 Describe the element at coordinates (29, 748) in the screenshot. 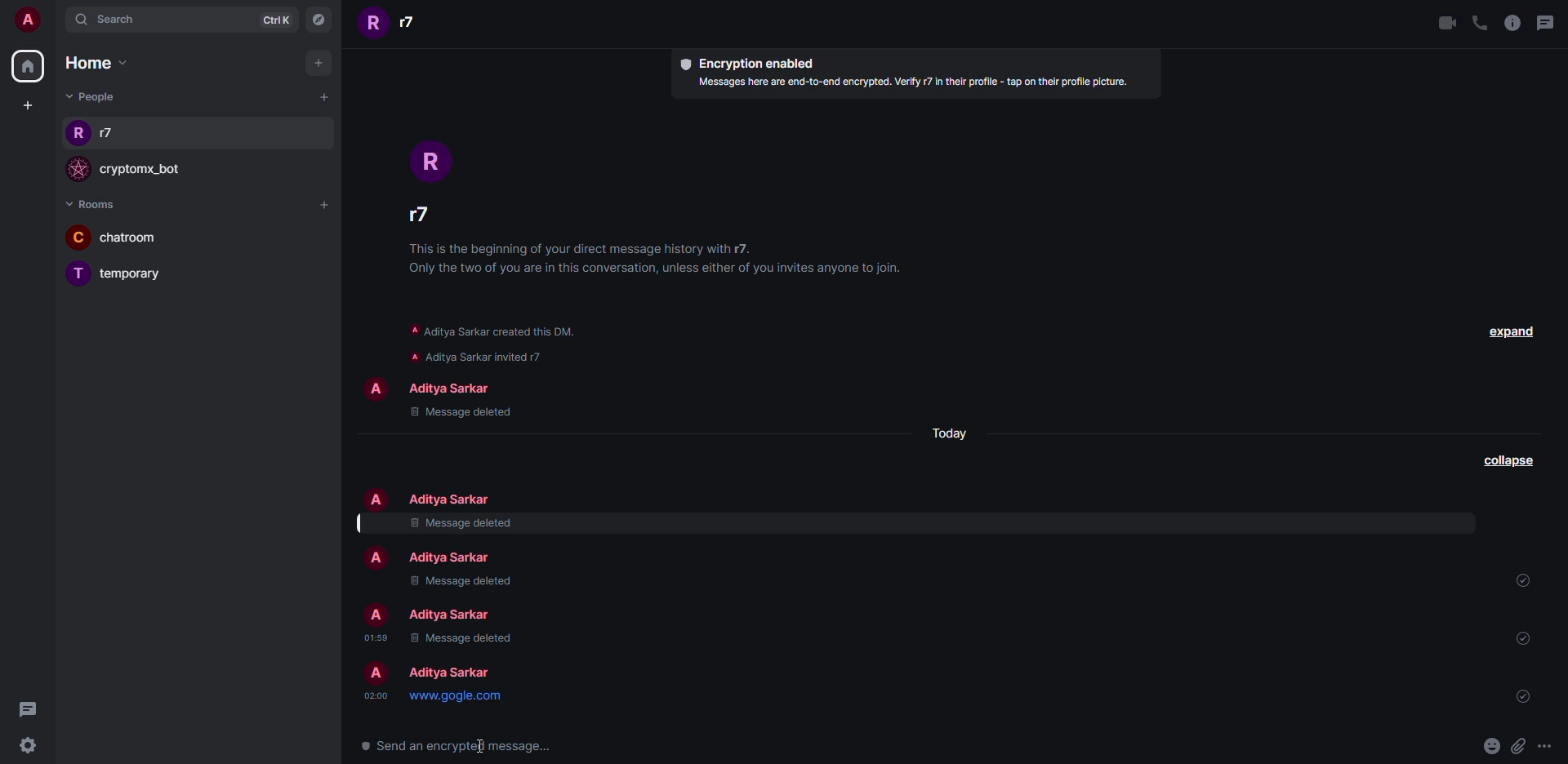

I see `settings` at that location.